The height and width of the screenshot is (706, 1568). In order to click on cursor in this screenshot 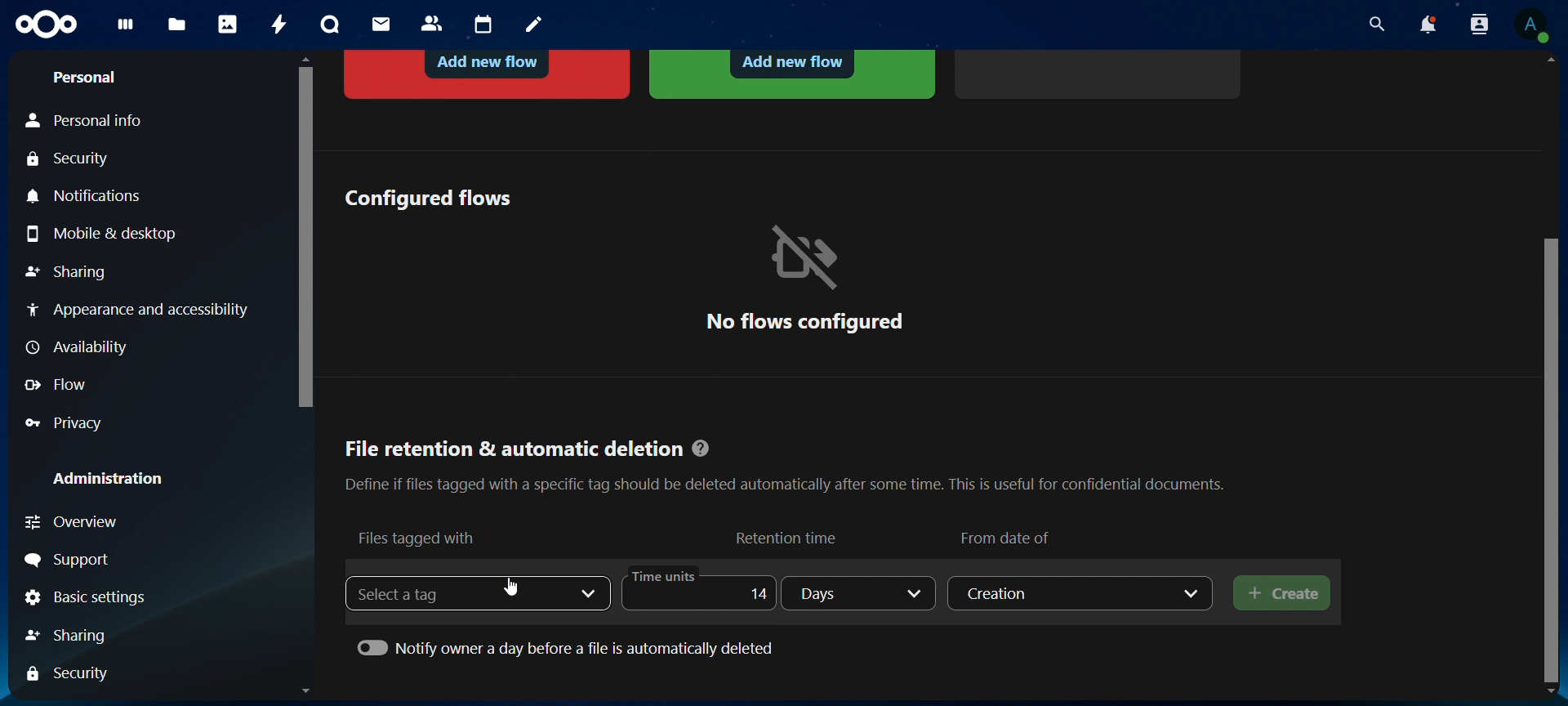, I will do `click(515, 588)`.